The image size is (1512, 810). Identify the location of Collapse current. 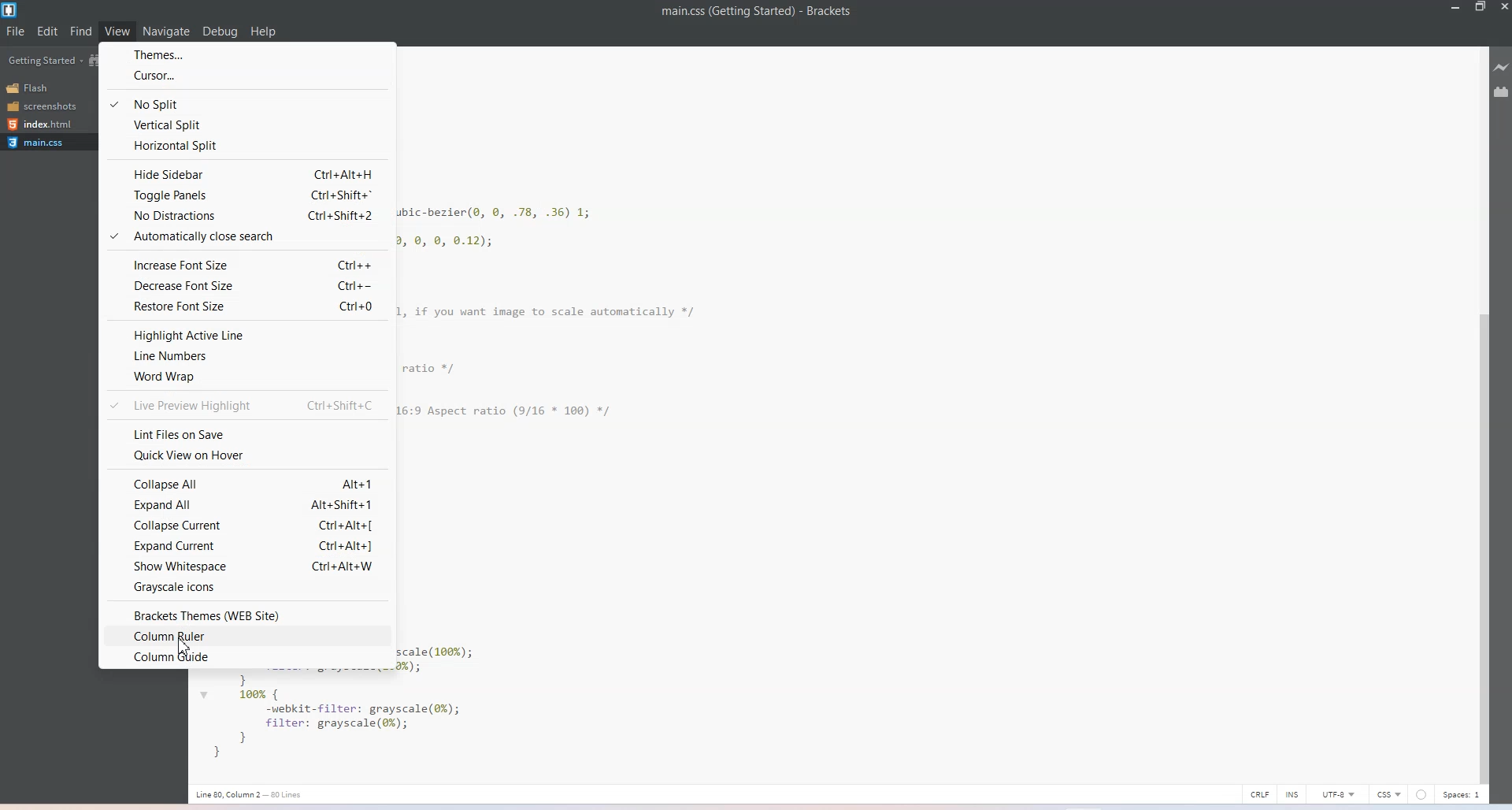
(248, 526).